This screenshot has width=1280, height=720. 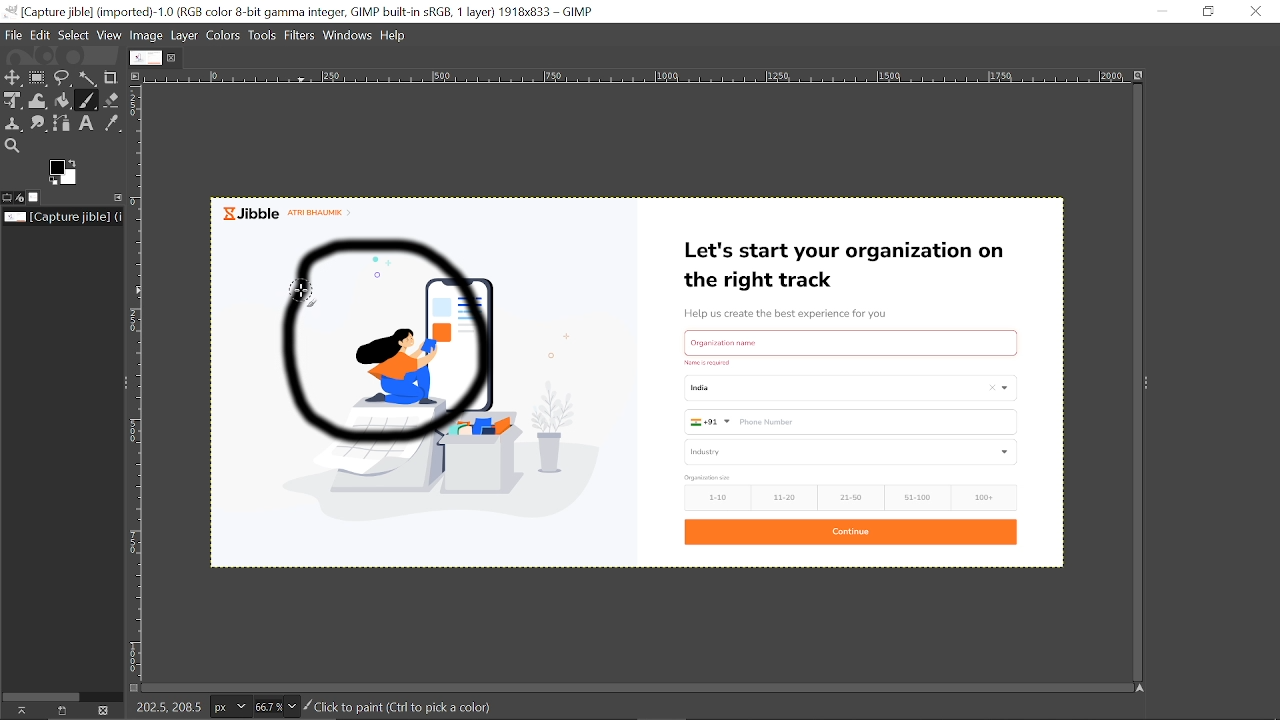 What do you see at coordinates (357, 215) in the screenshot?
I see `currently opened image` at bounding box center [357, 215].